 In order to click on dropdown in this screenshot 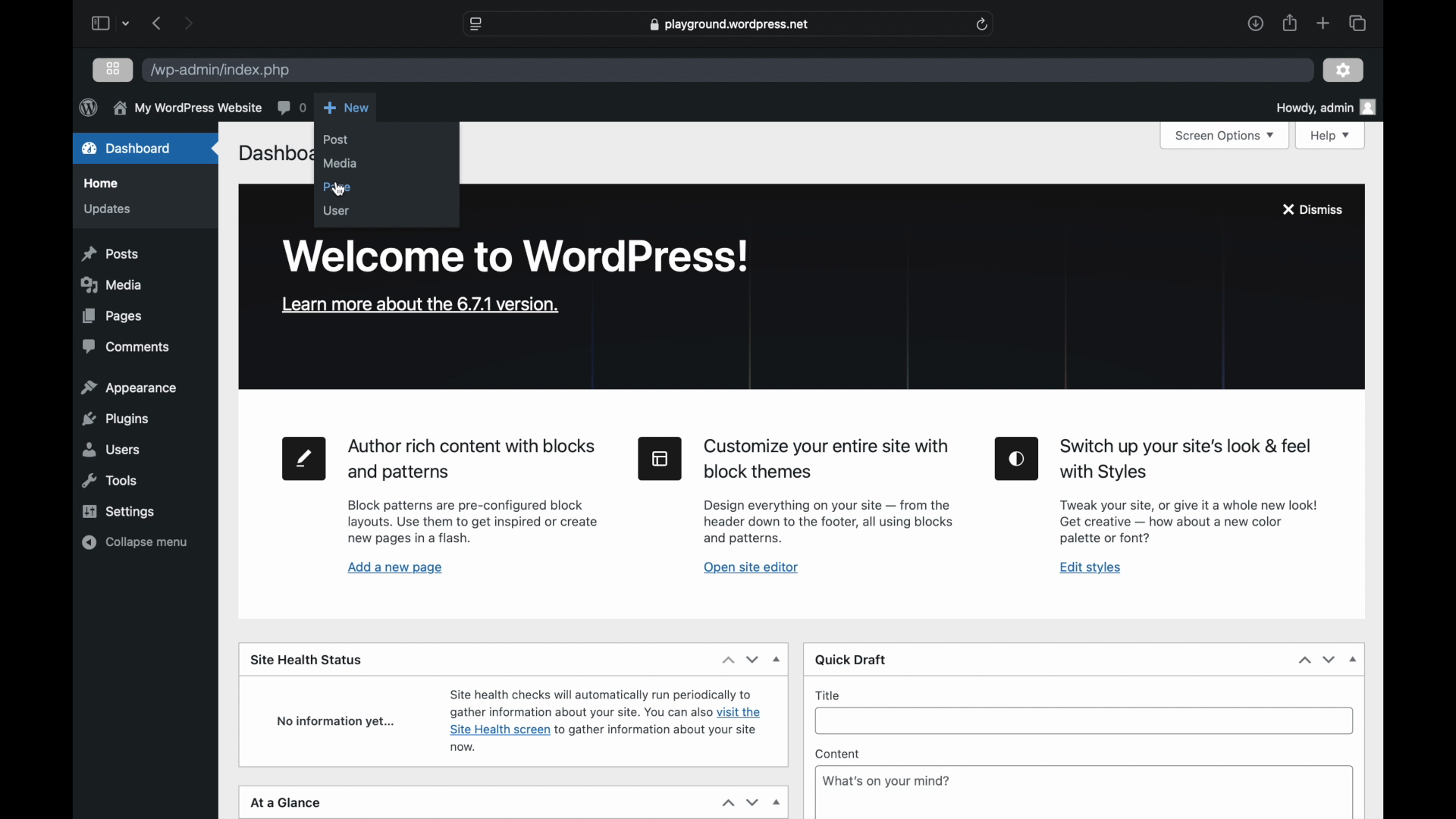, I will do `click(1354, 659)`.